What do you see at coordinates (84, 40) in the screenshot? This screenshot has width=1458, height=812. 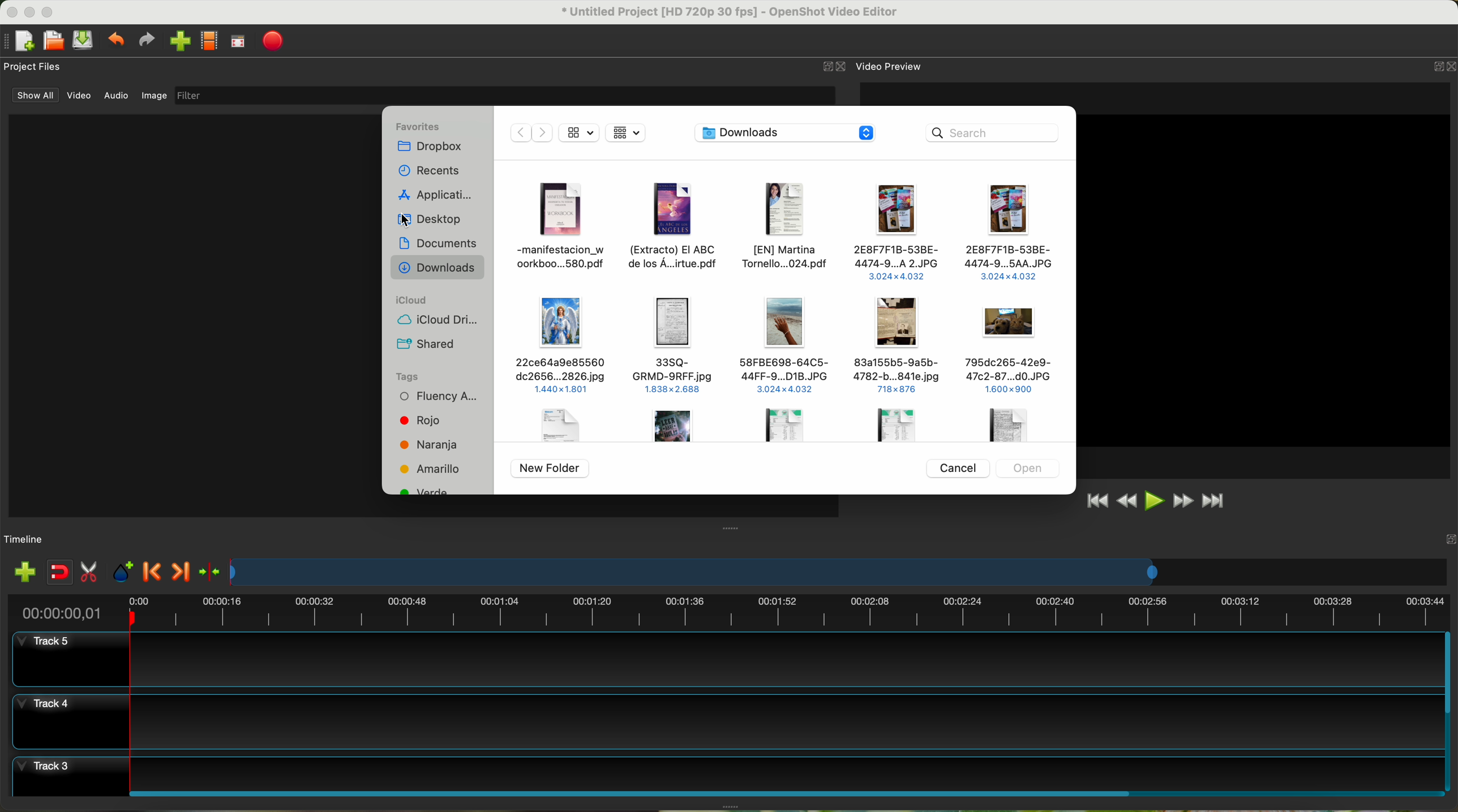 I see `save project` at bounding box center [84, 40].